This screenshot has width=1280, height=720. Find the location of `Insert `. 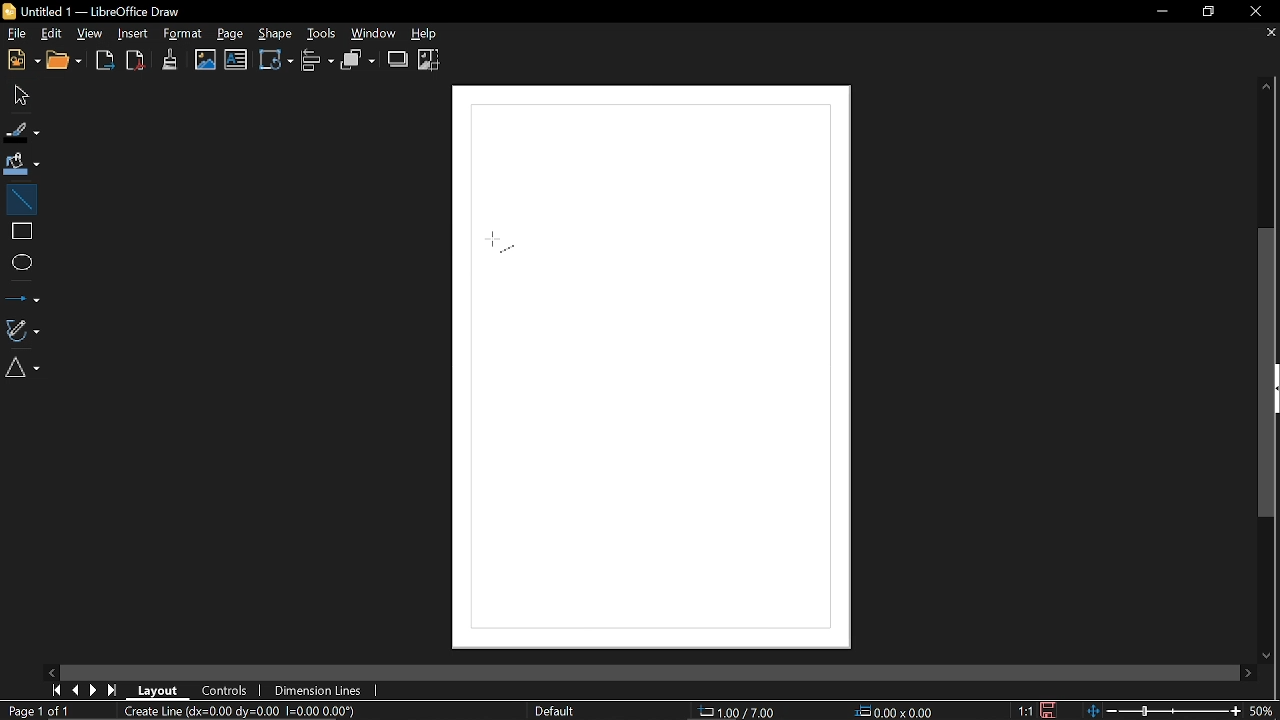

Insert  is located at coordinates (130, 34).